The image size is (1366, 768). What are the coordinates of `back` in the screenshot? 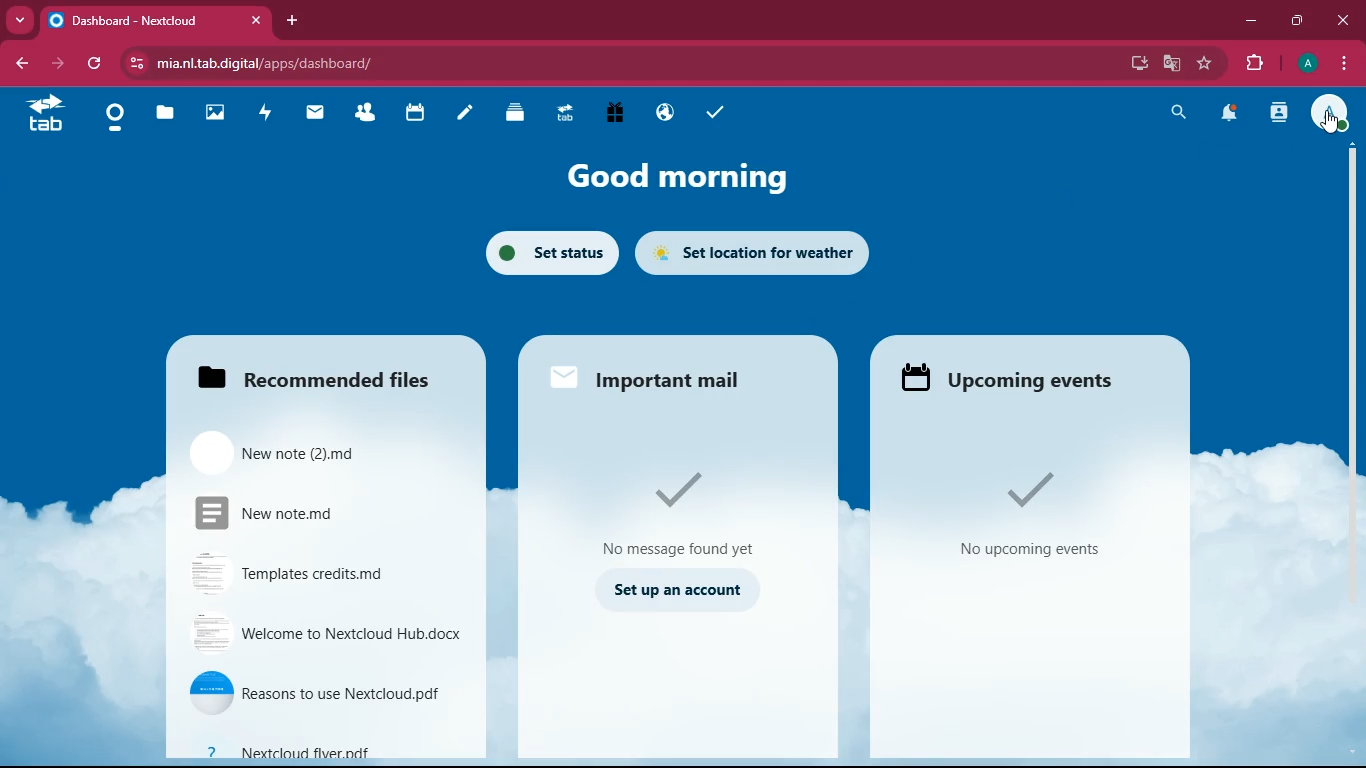 It's located at (16, 63).